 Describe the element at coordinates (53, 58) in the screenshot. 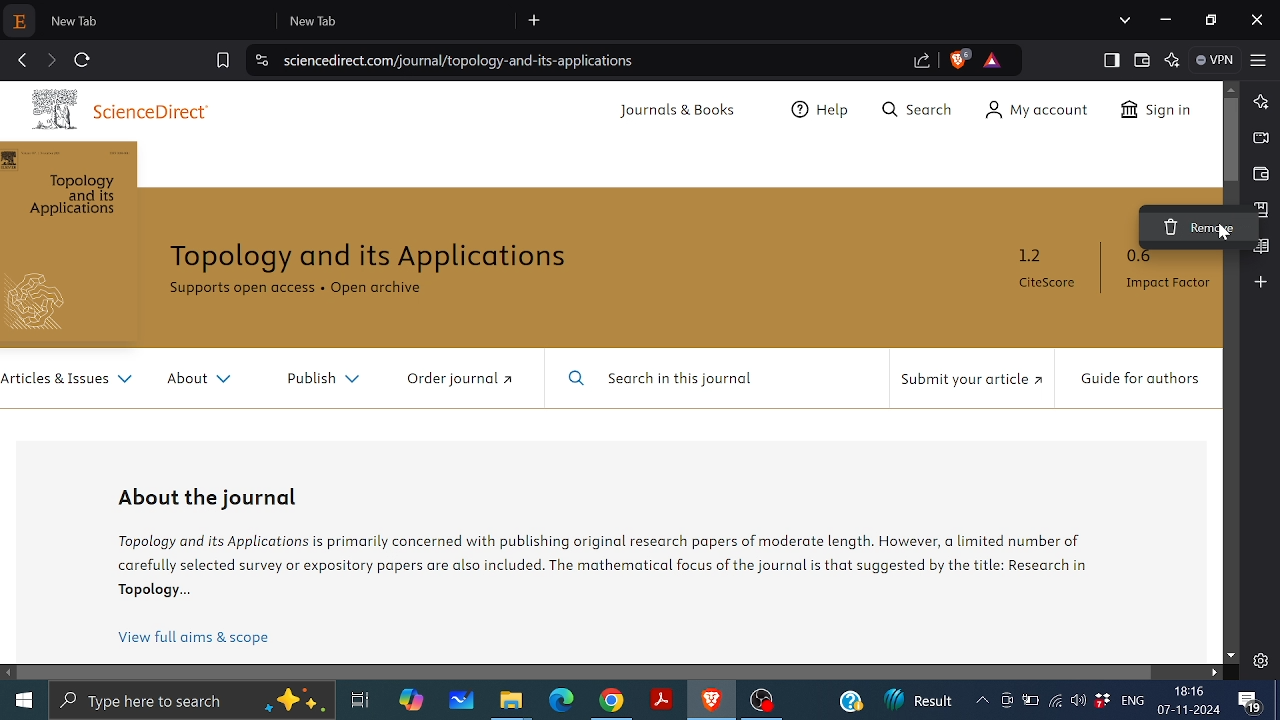

I see `Go to next page` at that location.